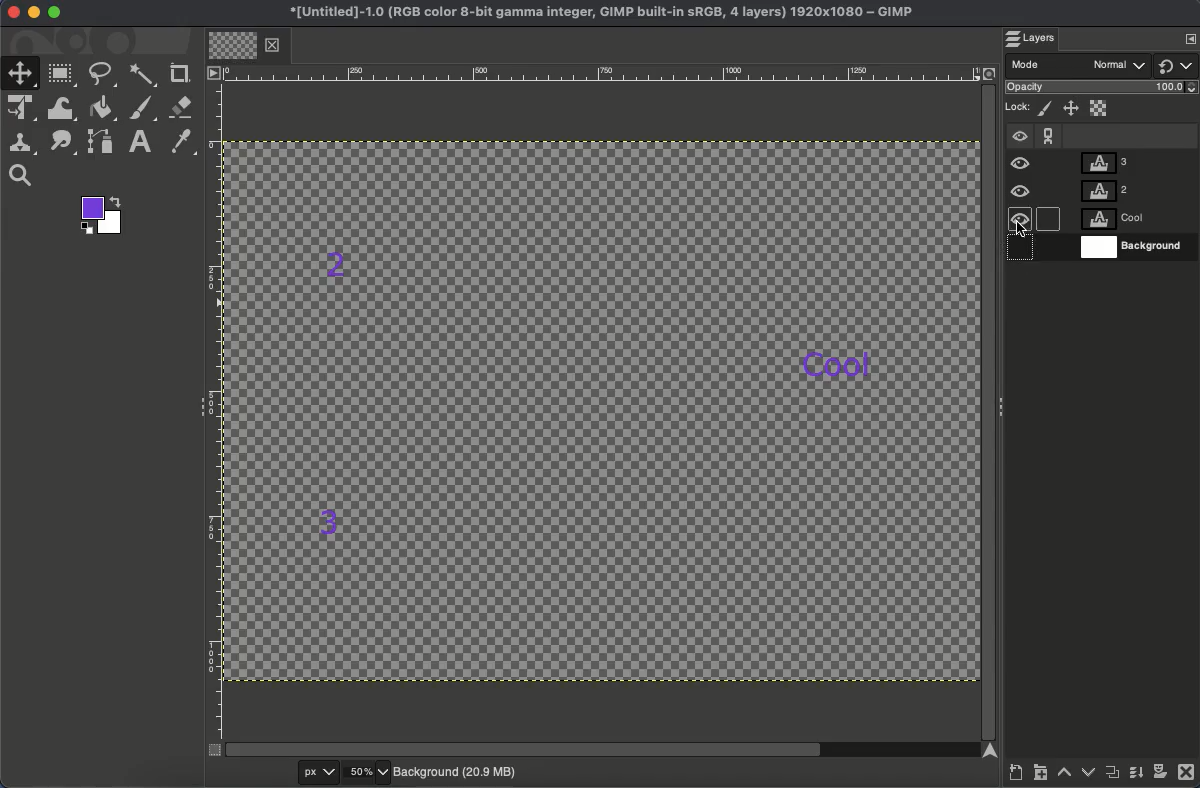 This screenshot has width=1200, height=788. I want to click on Crop, so click(181, 72).